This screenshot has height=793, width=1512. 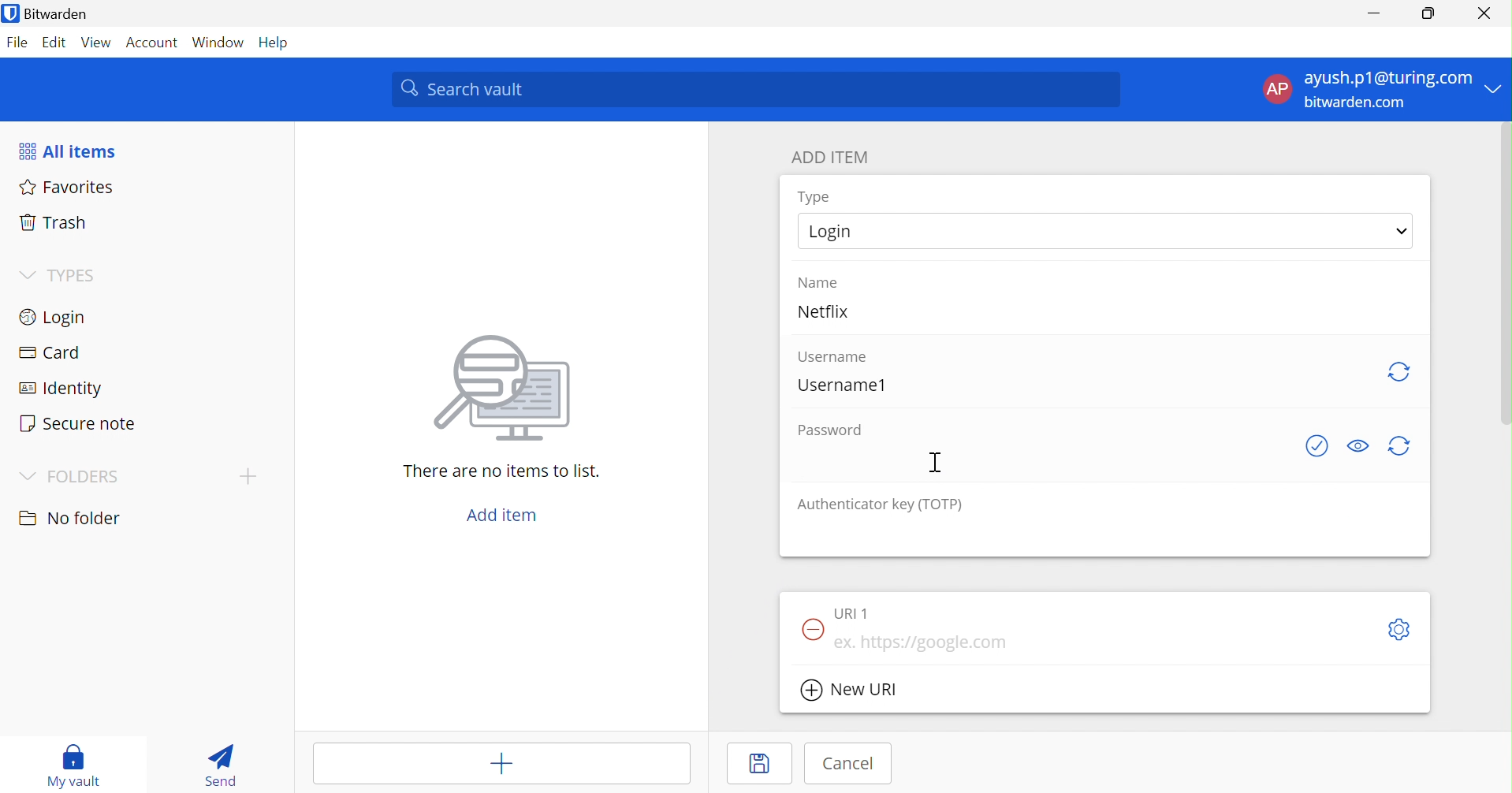 What do you see at coordinates (813, 196) in the screenshot?
I see `Type` at bounding box center [813, 196].